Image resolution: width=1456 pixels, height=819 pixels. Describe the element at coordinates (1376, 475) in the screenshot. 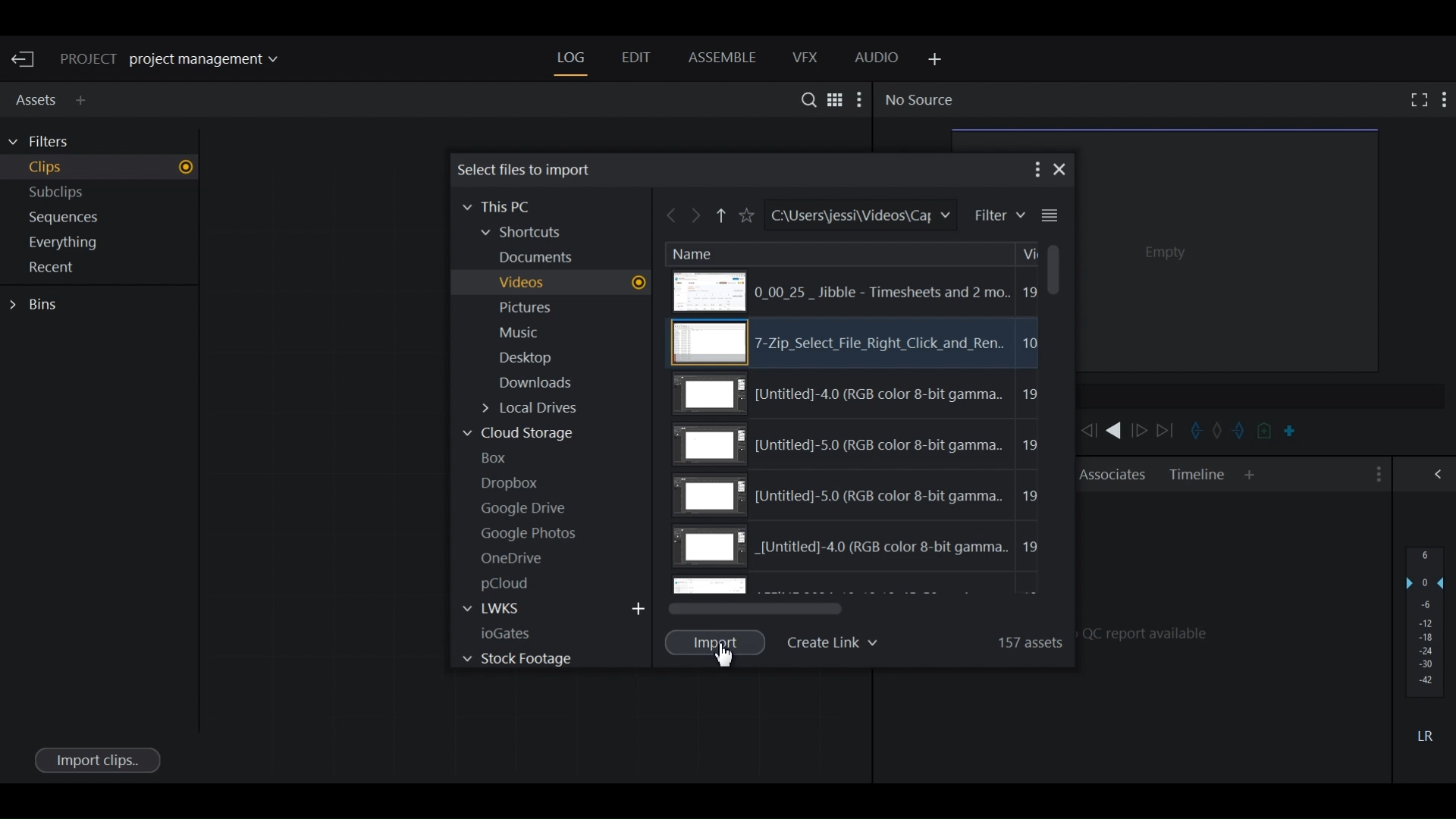

I see `Show settings menu` at that location.